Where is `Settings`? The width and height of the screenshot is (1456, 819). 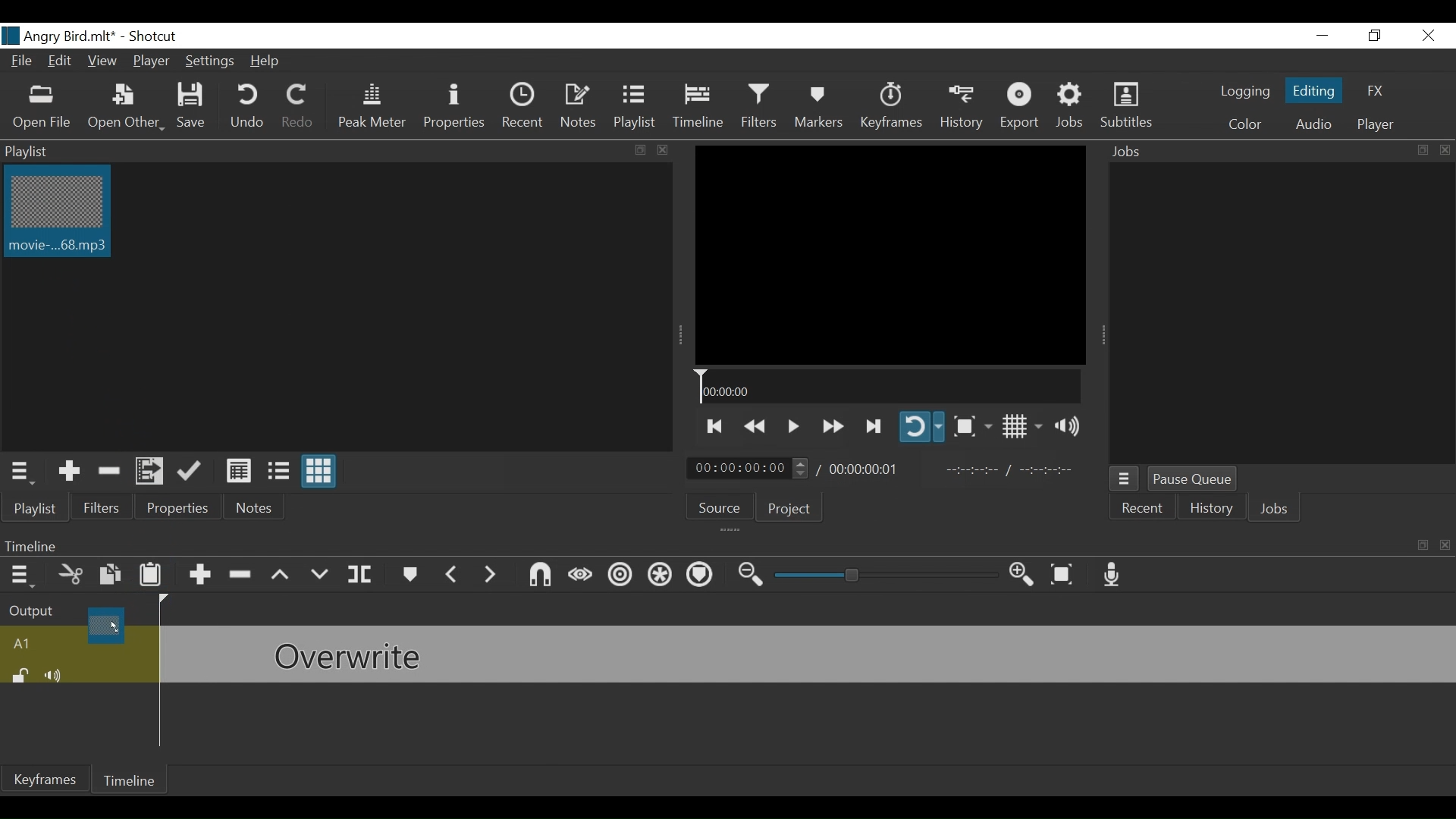 Settings is located at coordinates (208, 61).